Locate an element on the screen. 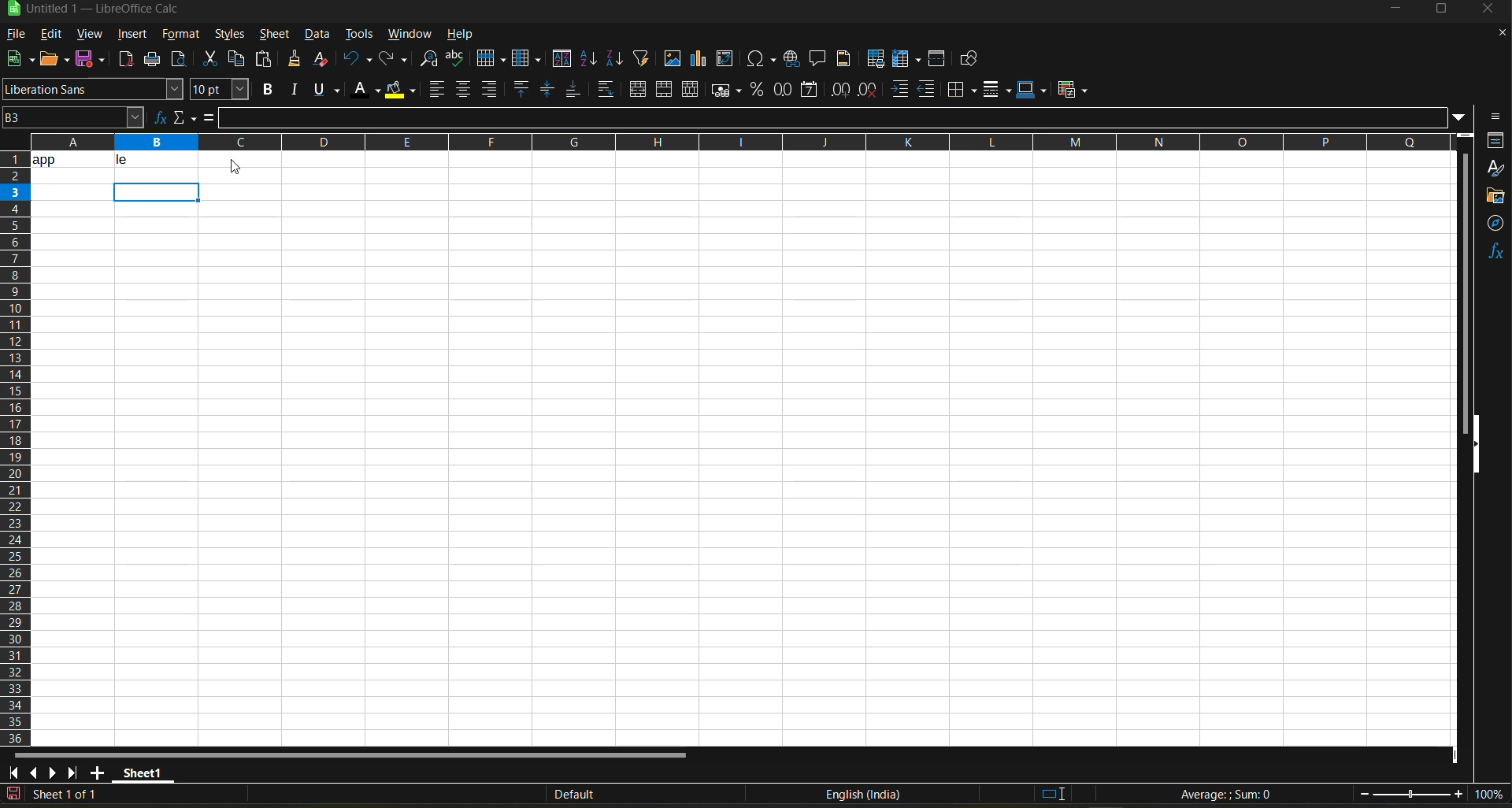 Image resolution: width=1512 pixels, height=808 pixels. center vertically is located at coordinates (547, 90).